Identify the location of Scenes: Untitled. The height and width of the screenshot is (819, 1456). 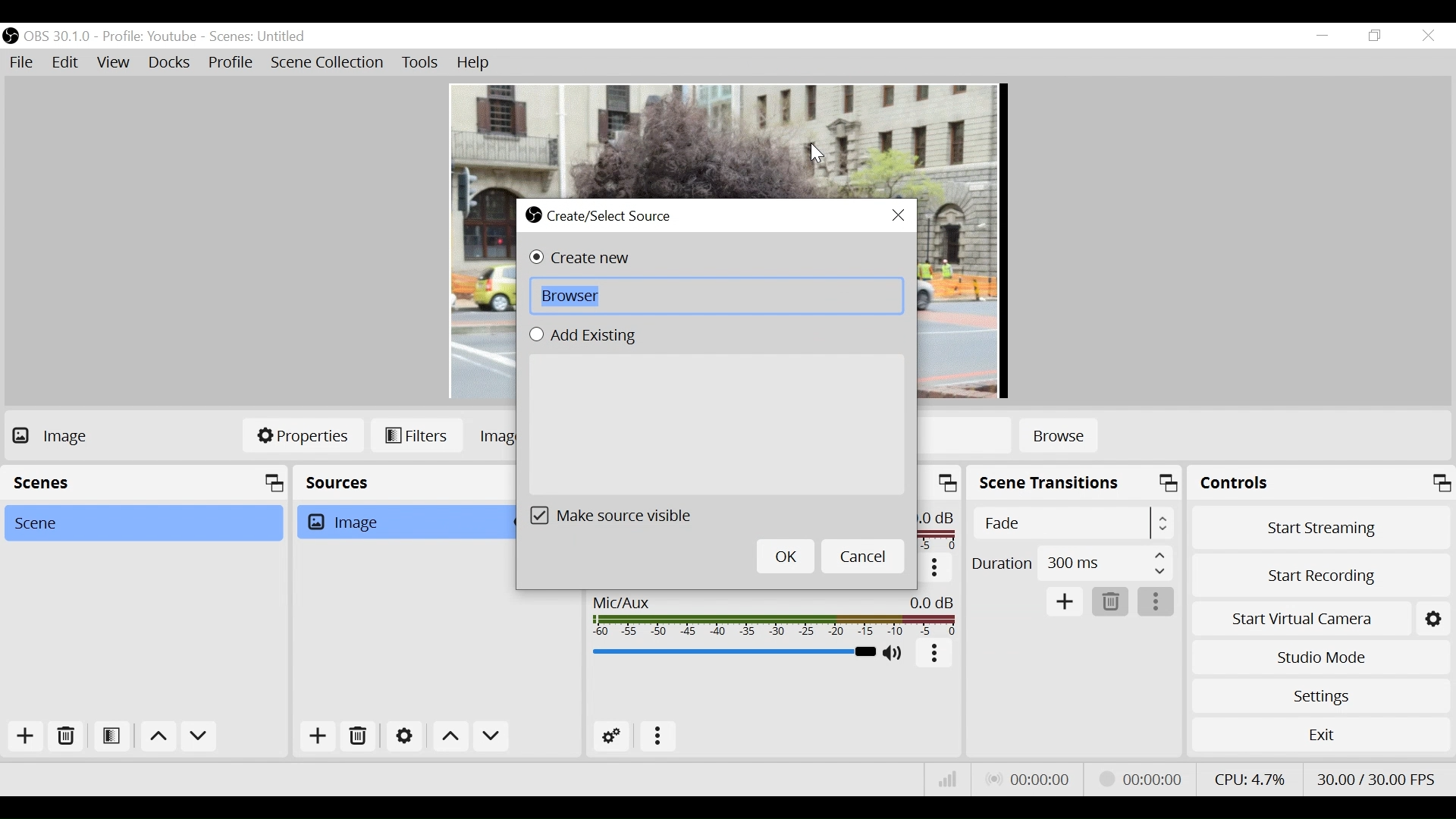
(261, 37).